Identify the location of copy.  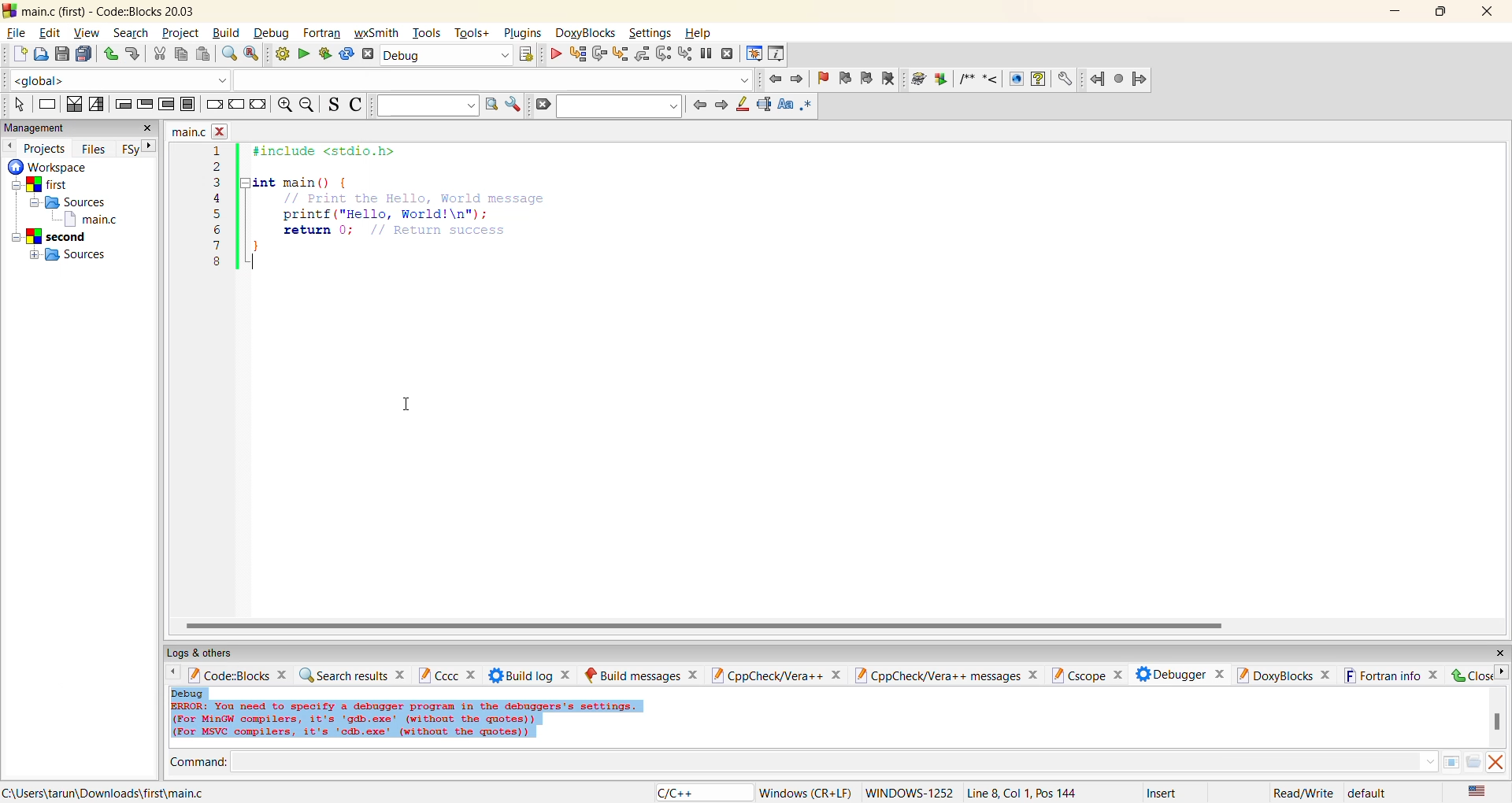
(179, 55).